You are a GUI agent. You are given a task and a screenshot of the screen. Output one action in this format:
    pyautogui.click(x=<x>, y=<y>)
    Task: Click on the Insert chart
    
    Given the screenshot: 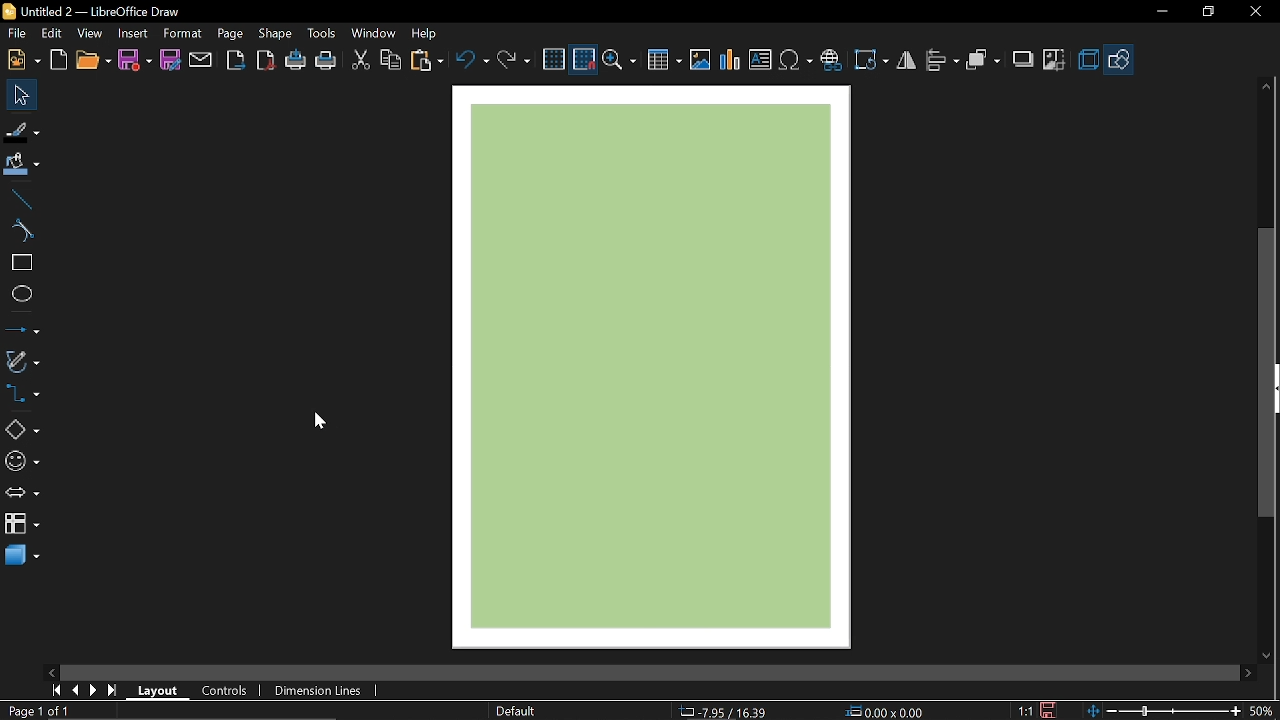 What is the action you would take?
    pyautogui.click(x=730, y=62)
    